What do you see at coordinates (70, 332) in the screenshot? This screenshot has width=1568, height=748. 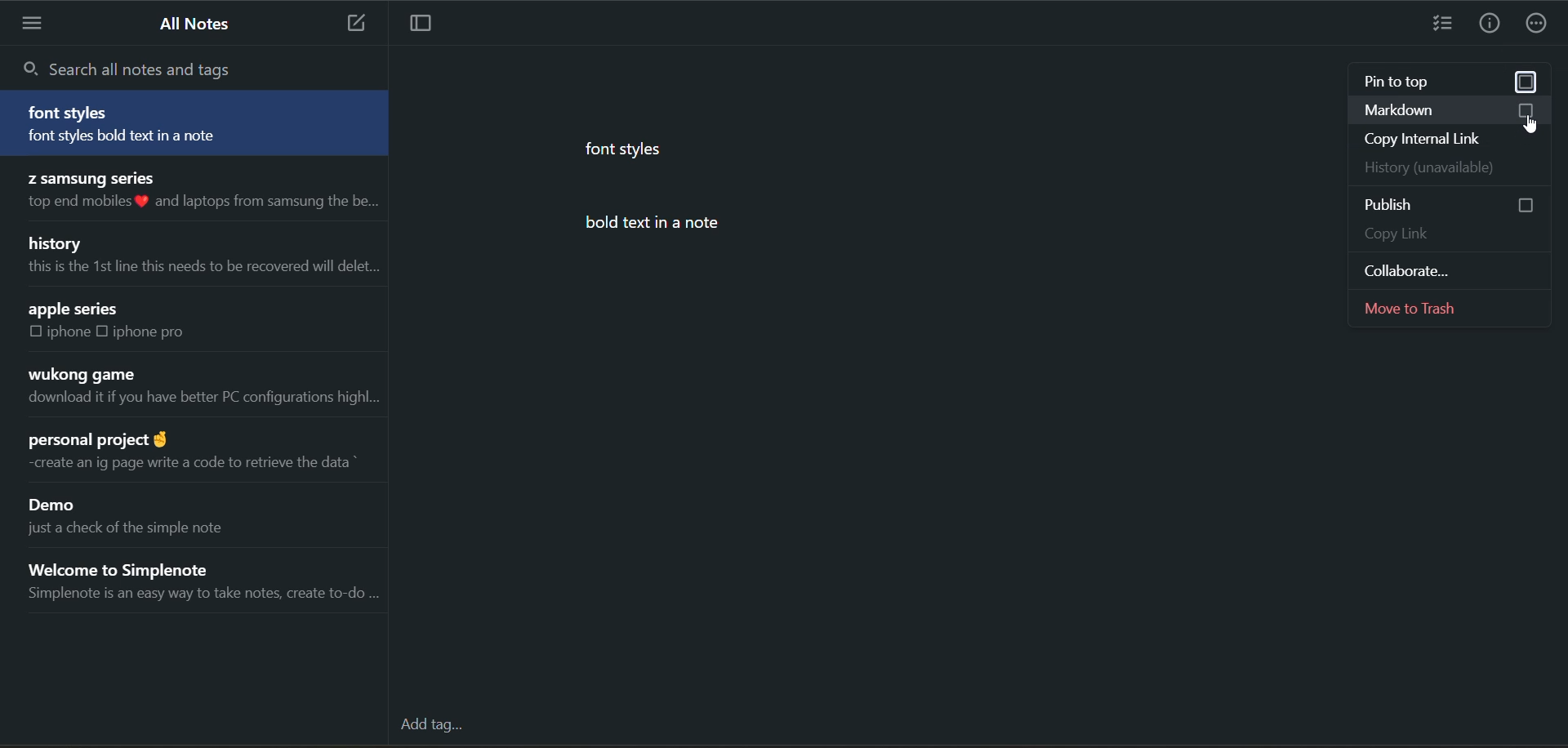 I see `iphone` at bounding box center [70, 332].